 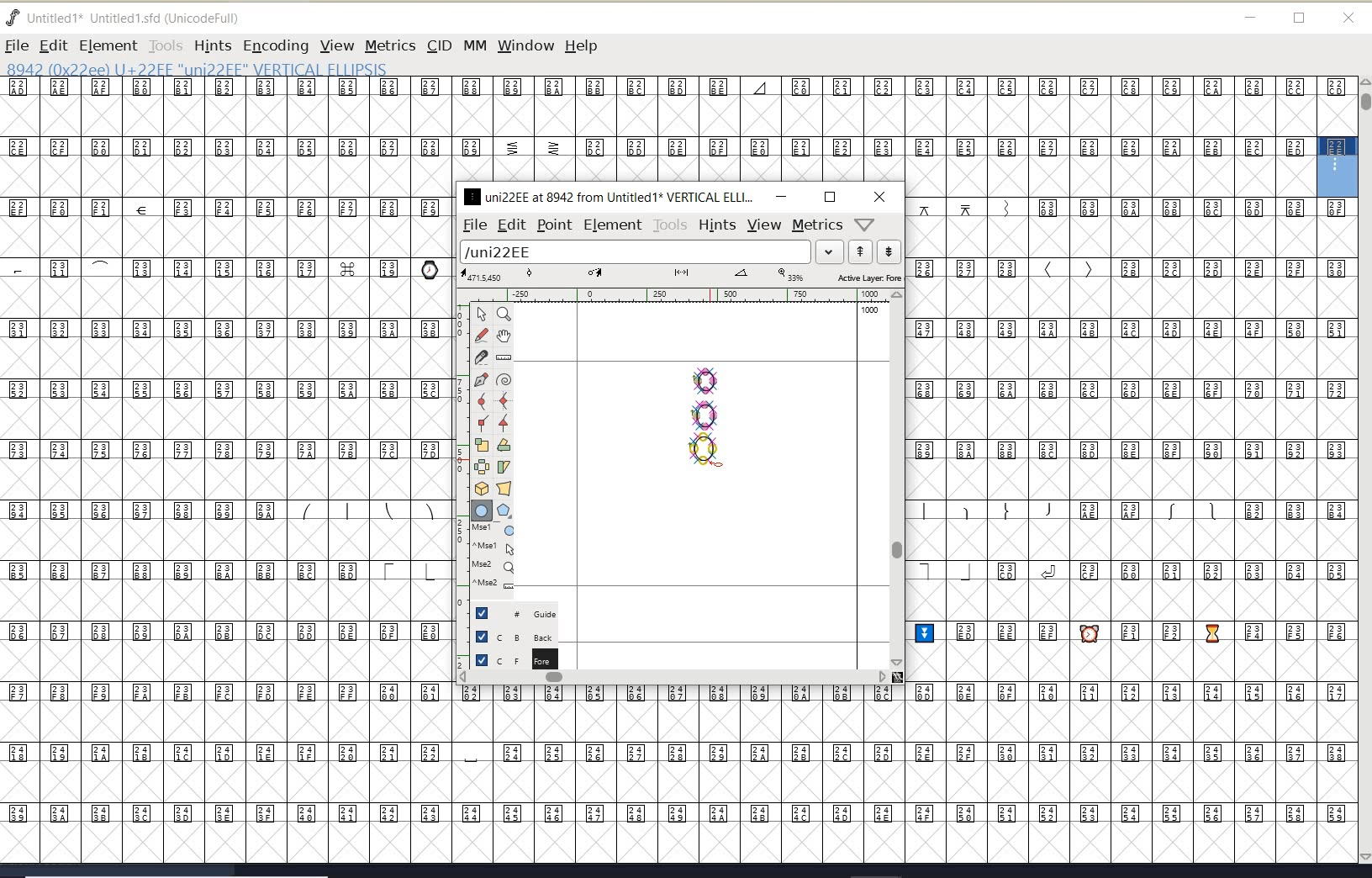 I want to click on a vertical ellipsis created, so click(x=702, y=413).